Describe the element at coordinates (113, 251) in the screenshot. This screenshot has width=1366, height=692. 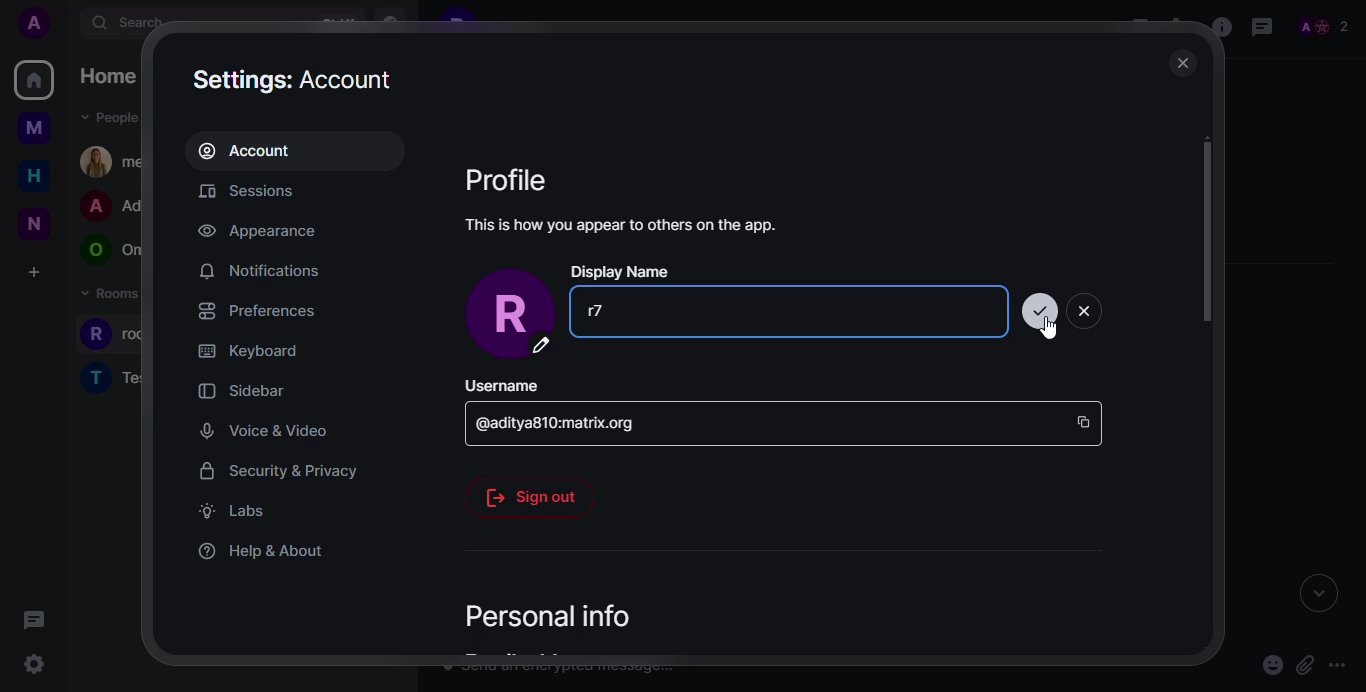
I see `people` at that location.